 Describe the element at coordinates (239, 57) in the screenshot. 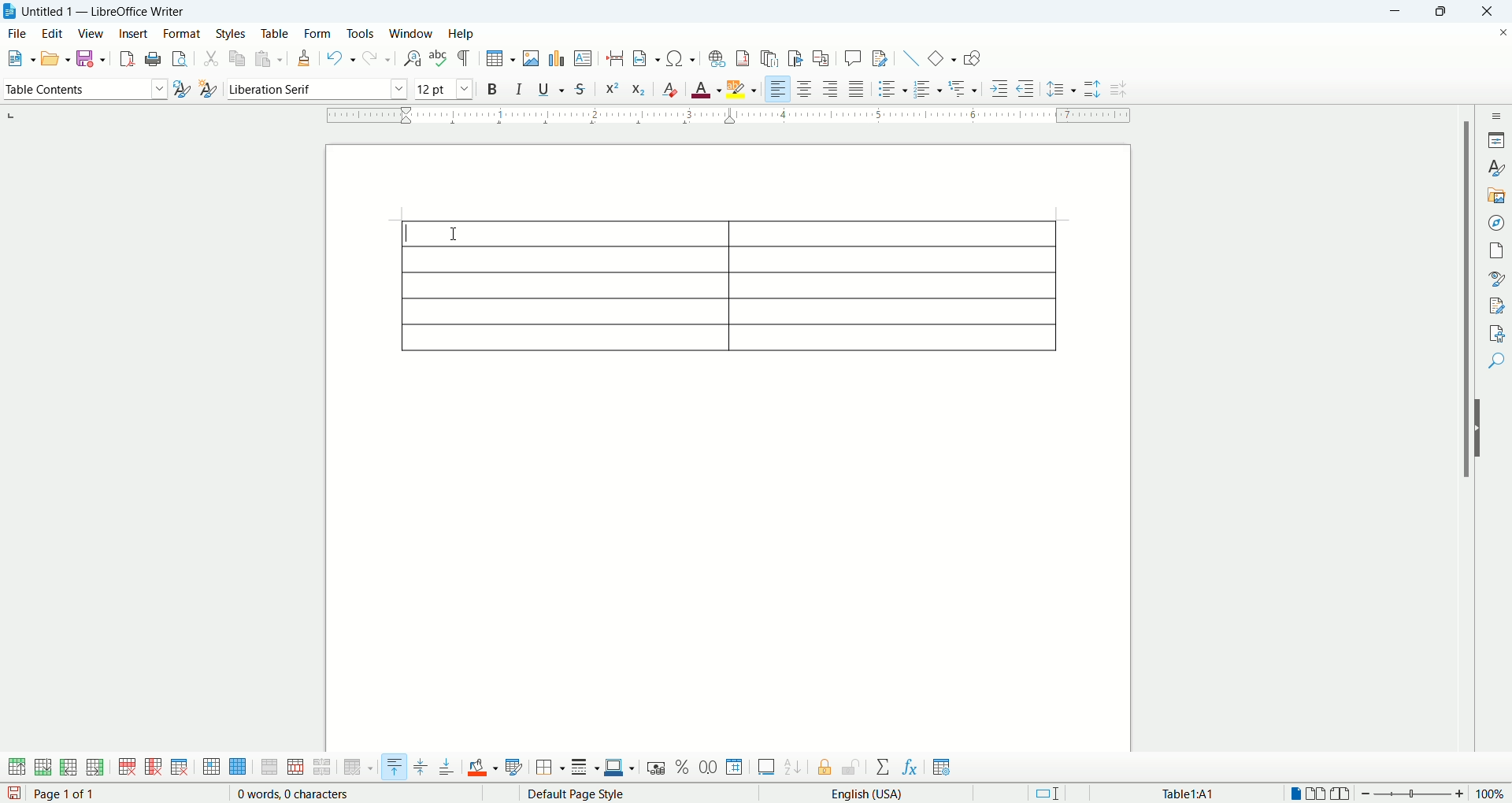

I see `copy` at that location.